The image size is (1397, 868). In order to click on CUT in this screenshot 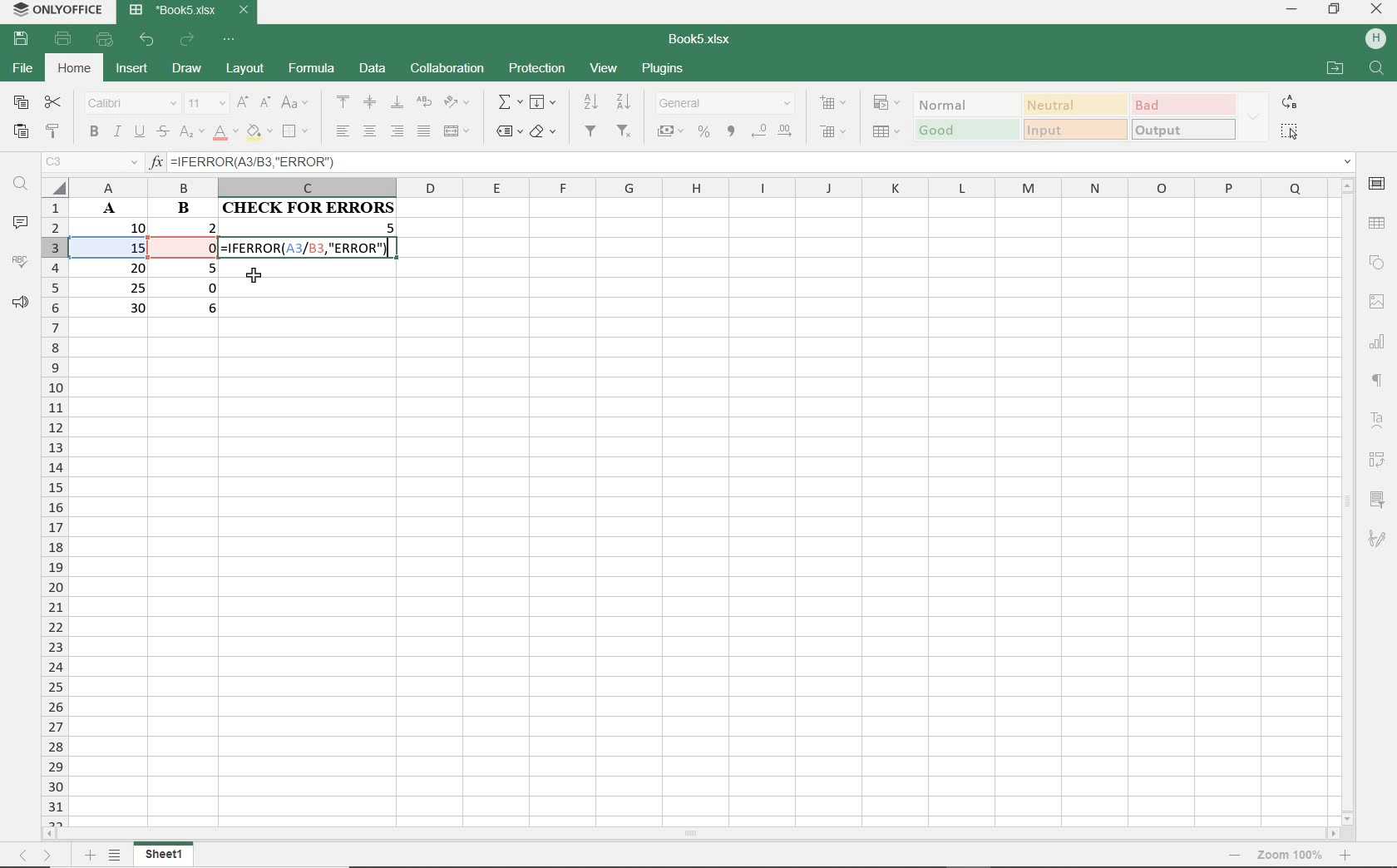, I will do `click(53, 104)`.